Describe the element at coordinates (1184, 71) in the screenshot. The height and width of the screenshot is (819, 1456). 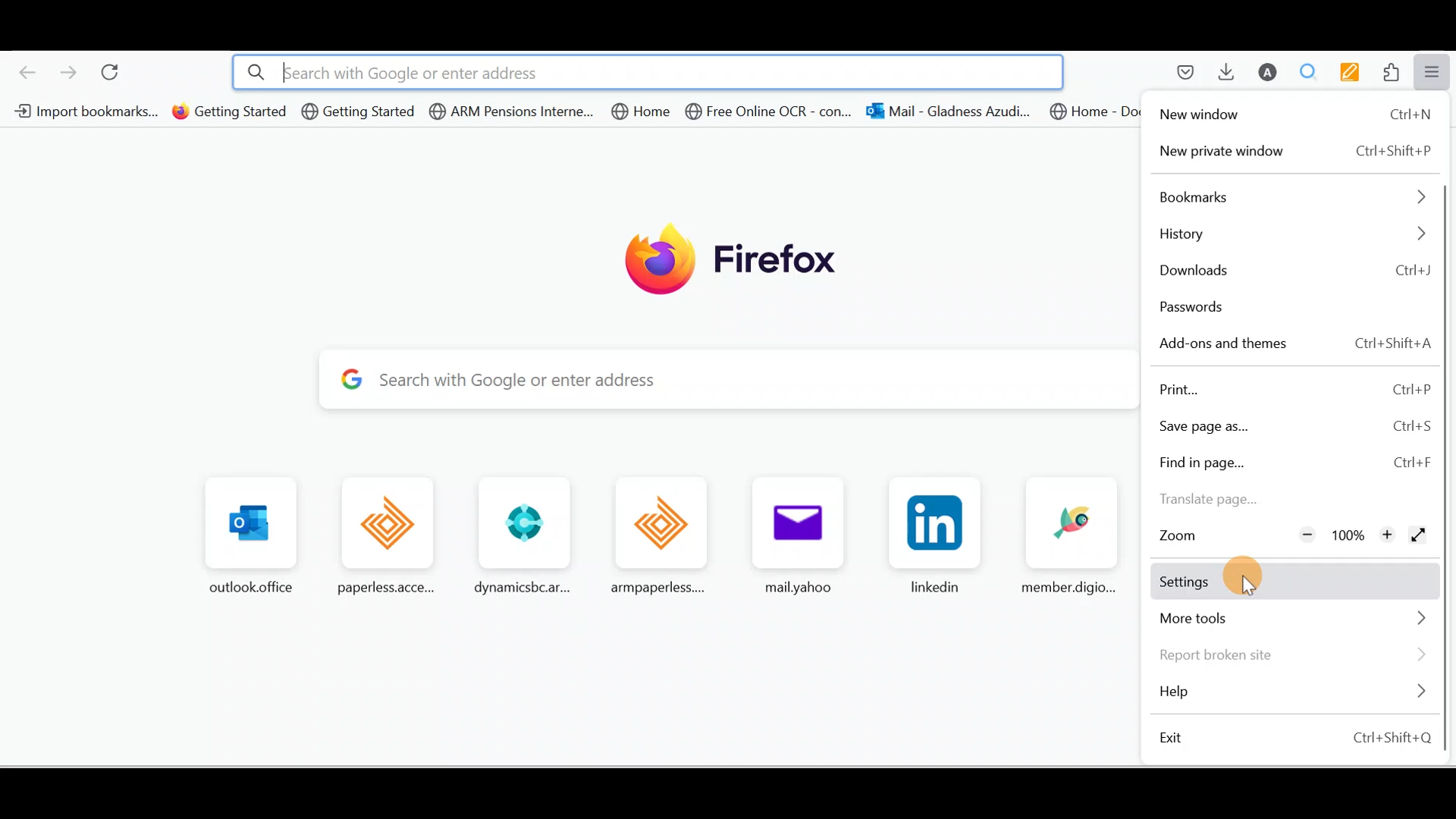
I see `Save to pocket` at that location.